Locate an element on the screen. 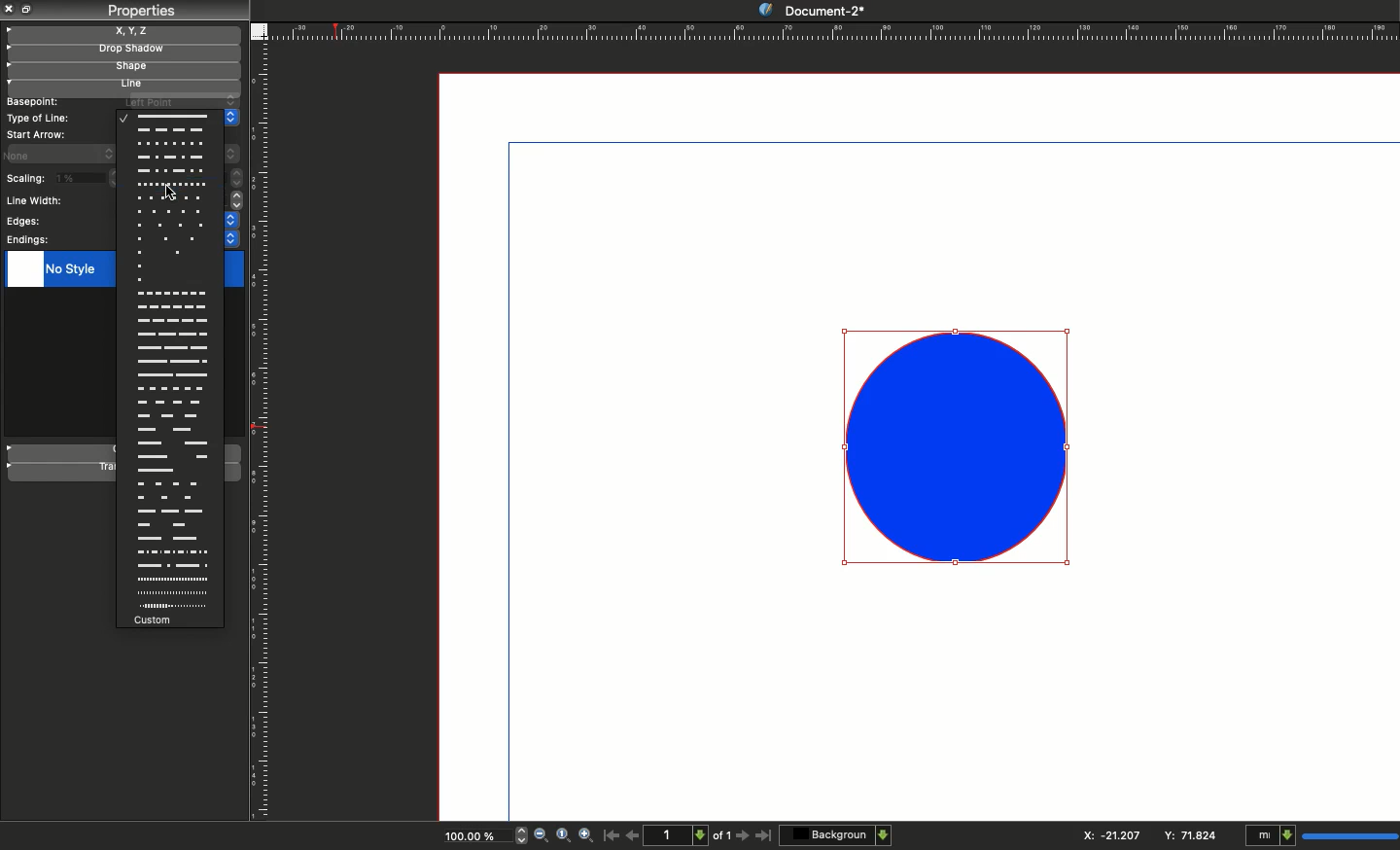  line option is located at coordinates (169, 144).